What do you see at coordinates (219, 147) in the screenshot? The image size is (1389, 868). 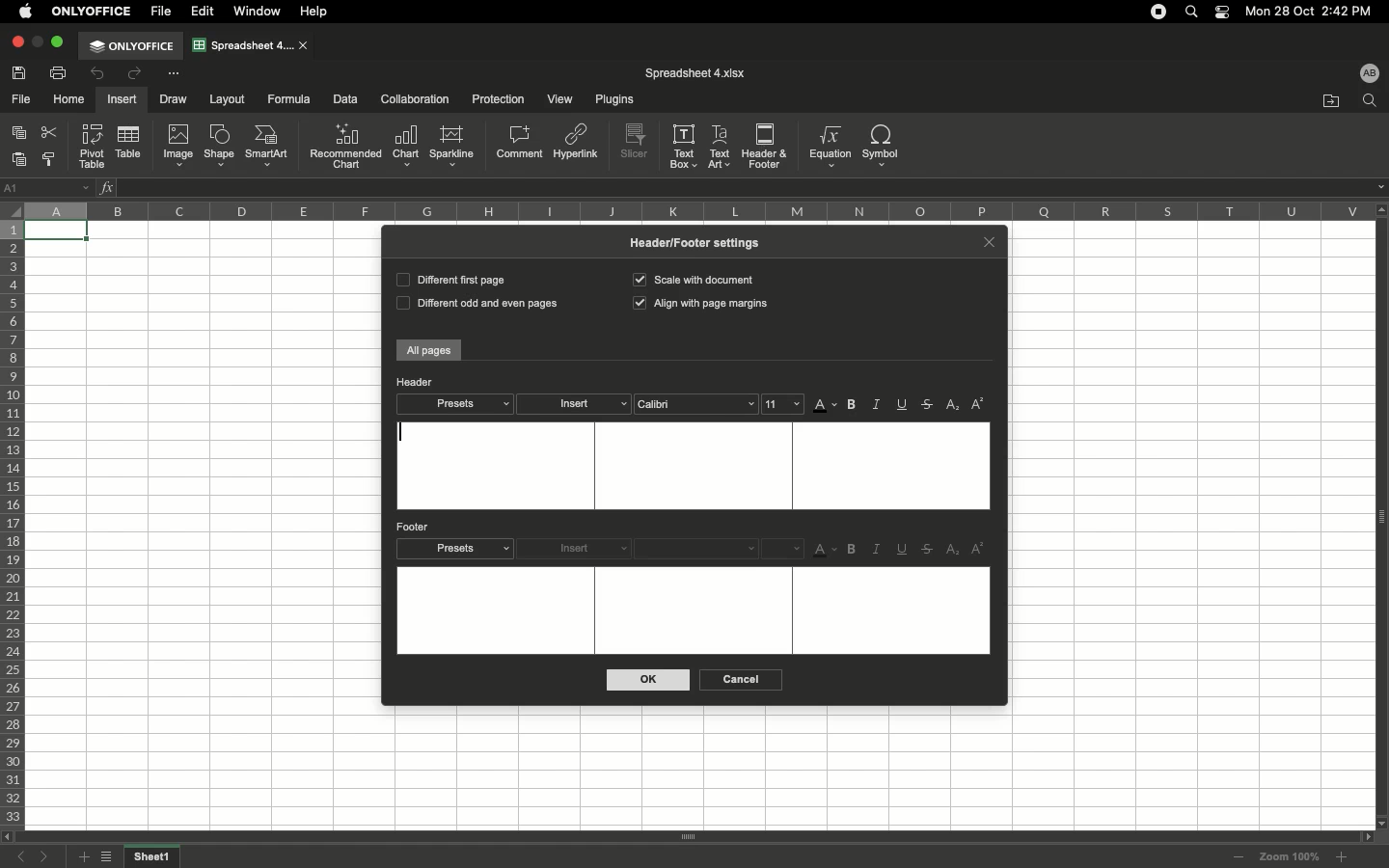 I see `Shape` at bounding box center [219, 147].